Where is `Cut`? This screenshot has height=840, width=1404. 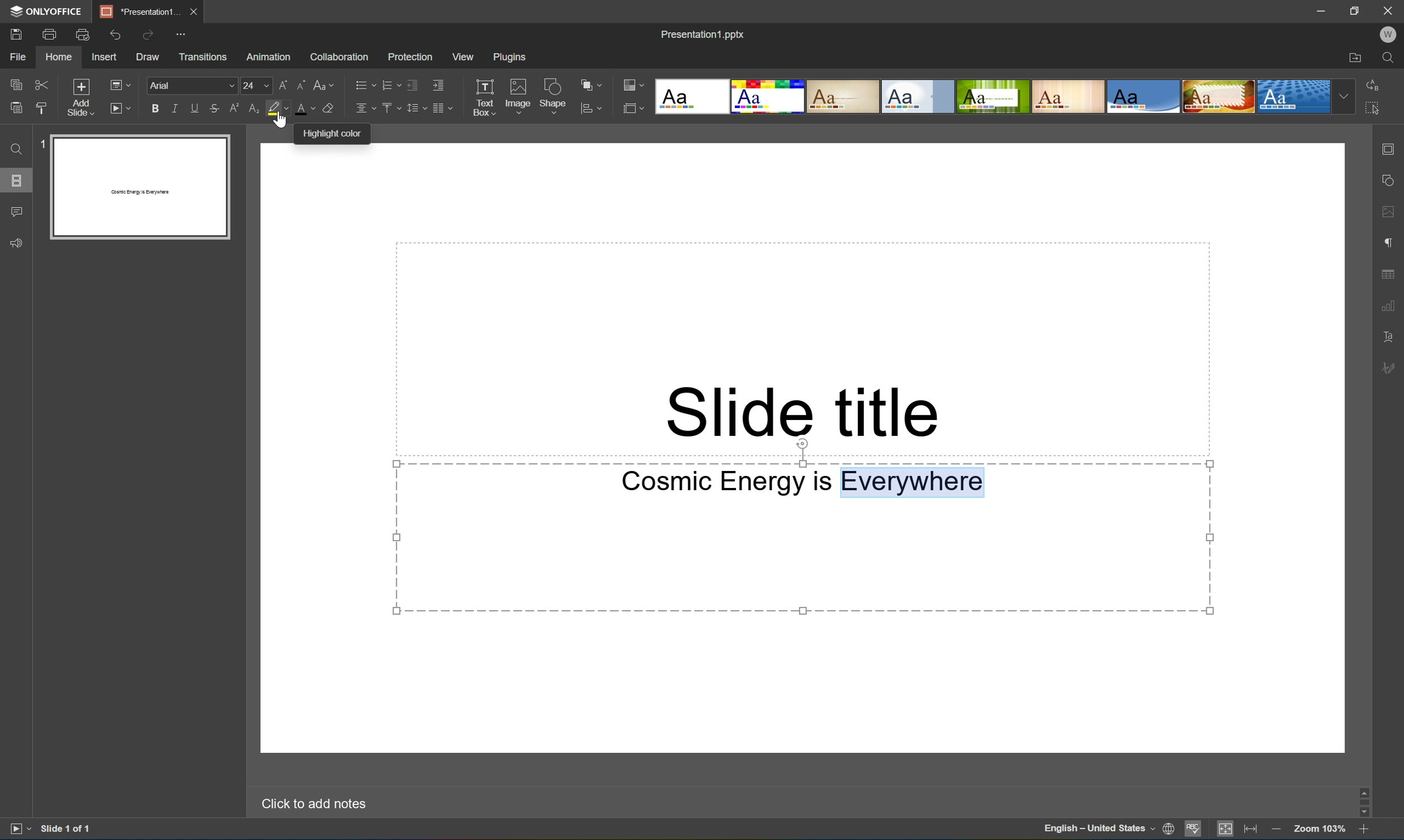 Cut is located at coordinates (45, 83).